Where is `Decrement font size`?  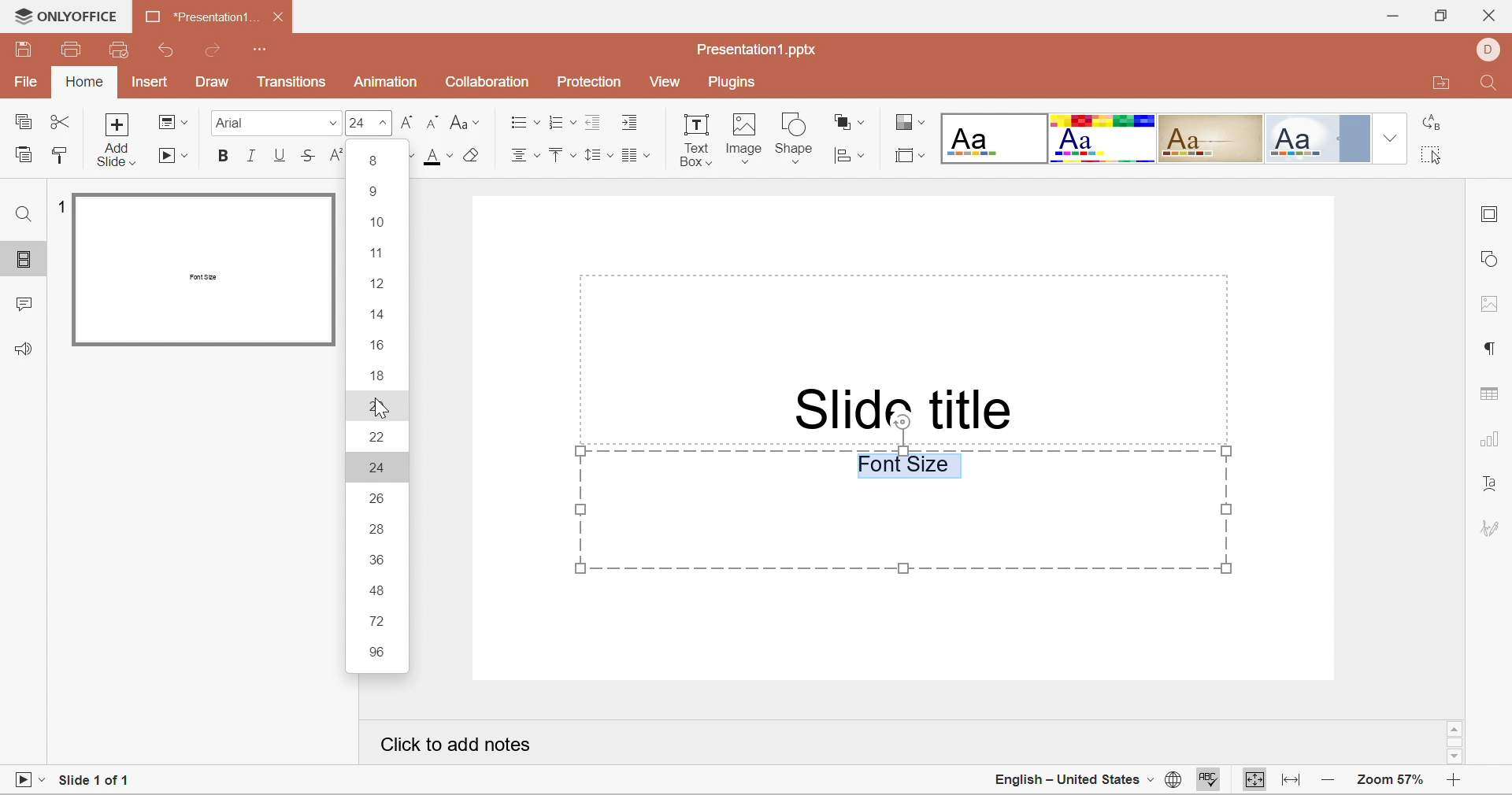
Decrement font size is located at coordinates (432, 123).